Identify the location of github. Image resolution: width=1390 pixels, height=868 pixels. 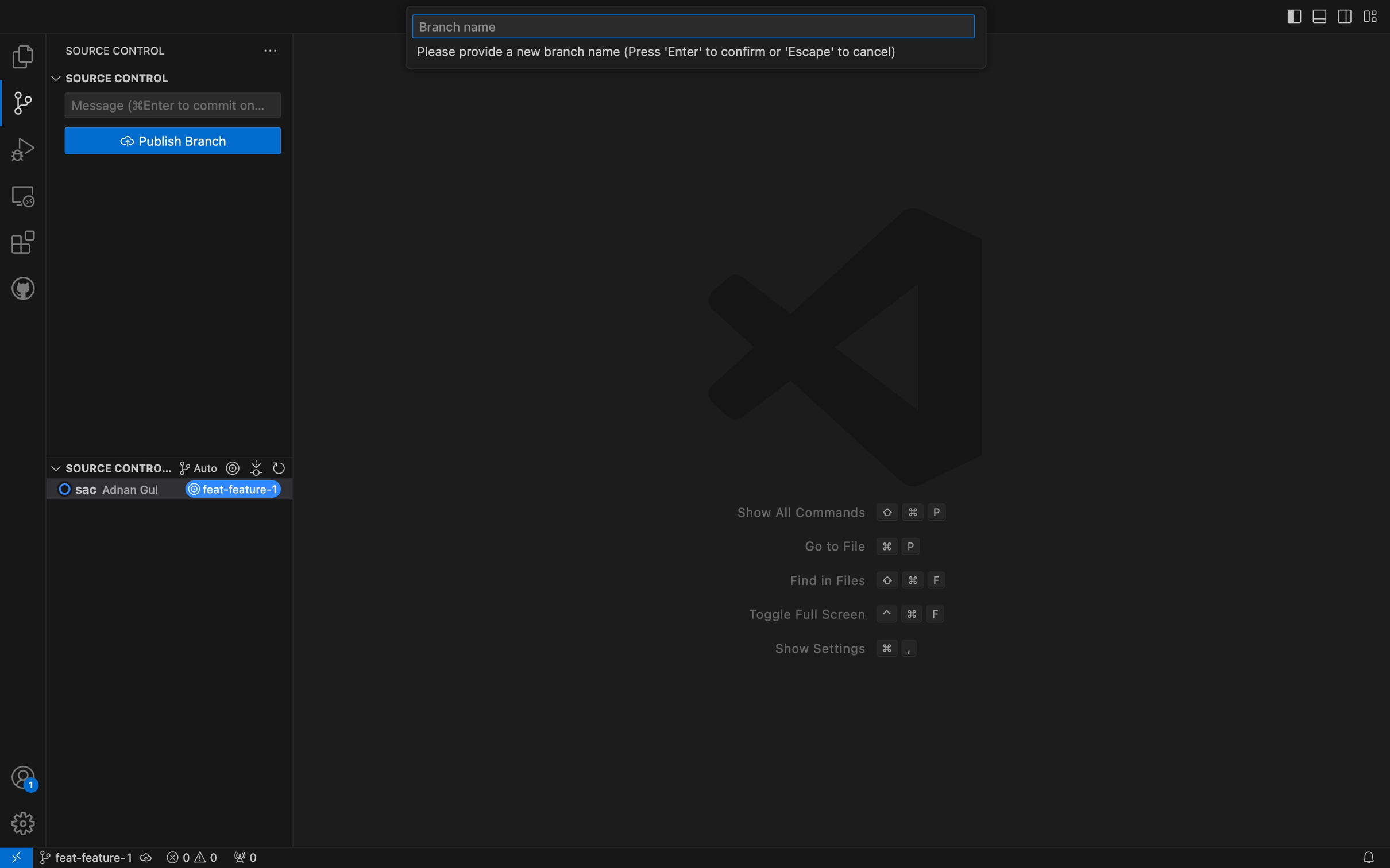
(23, 287).